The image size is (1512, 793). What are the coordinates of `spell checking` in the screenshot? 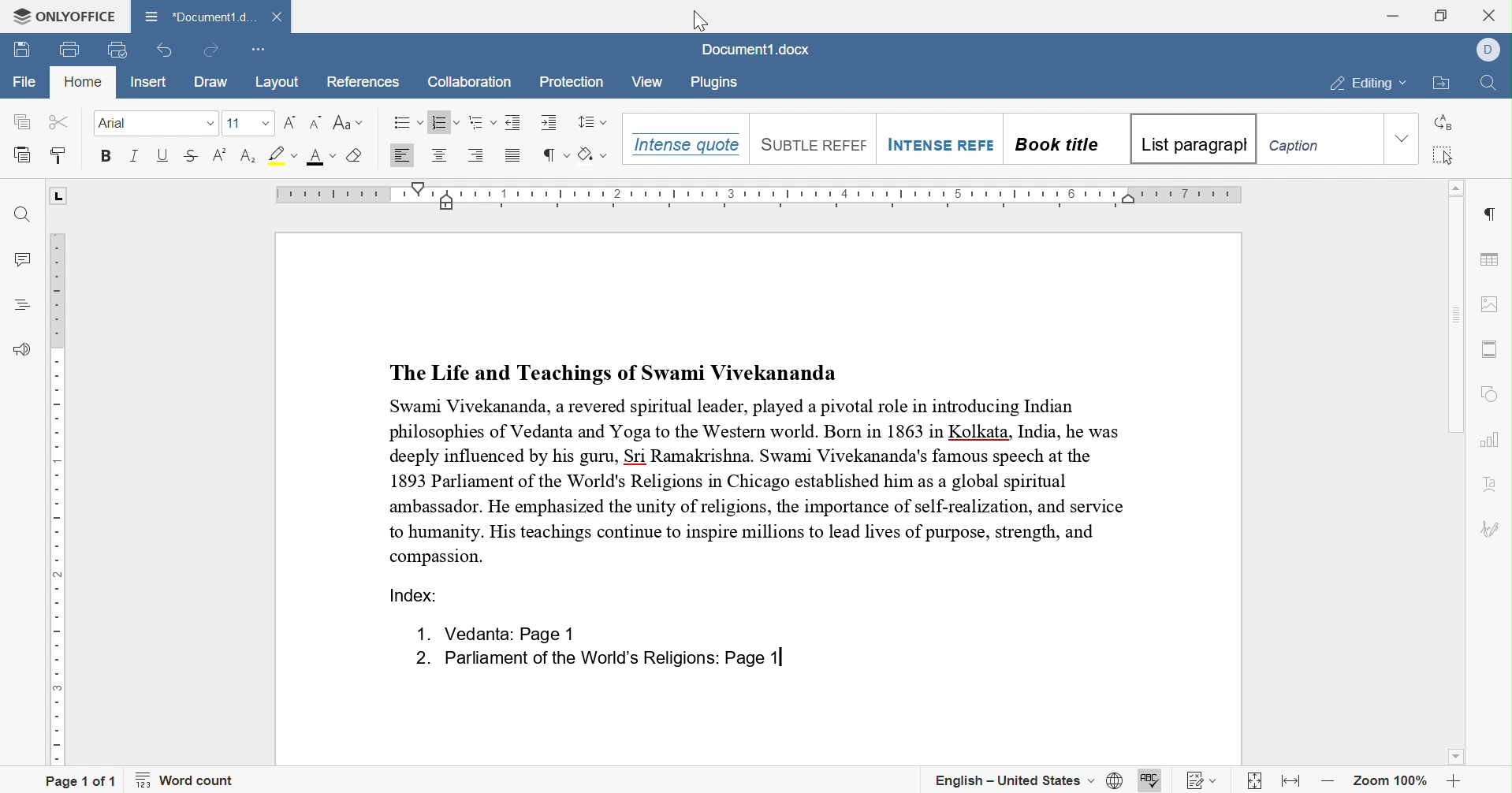 It's located at (1149, 782).